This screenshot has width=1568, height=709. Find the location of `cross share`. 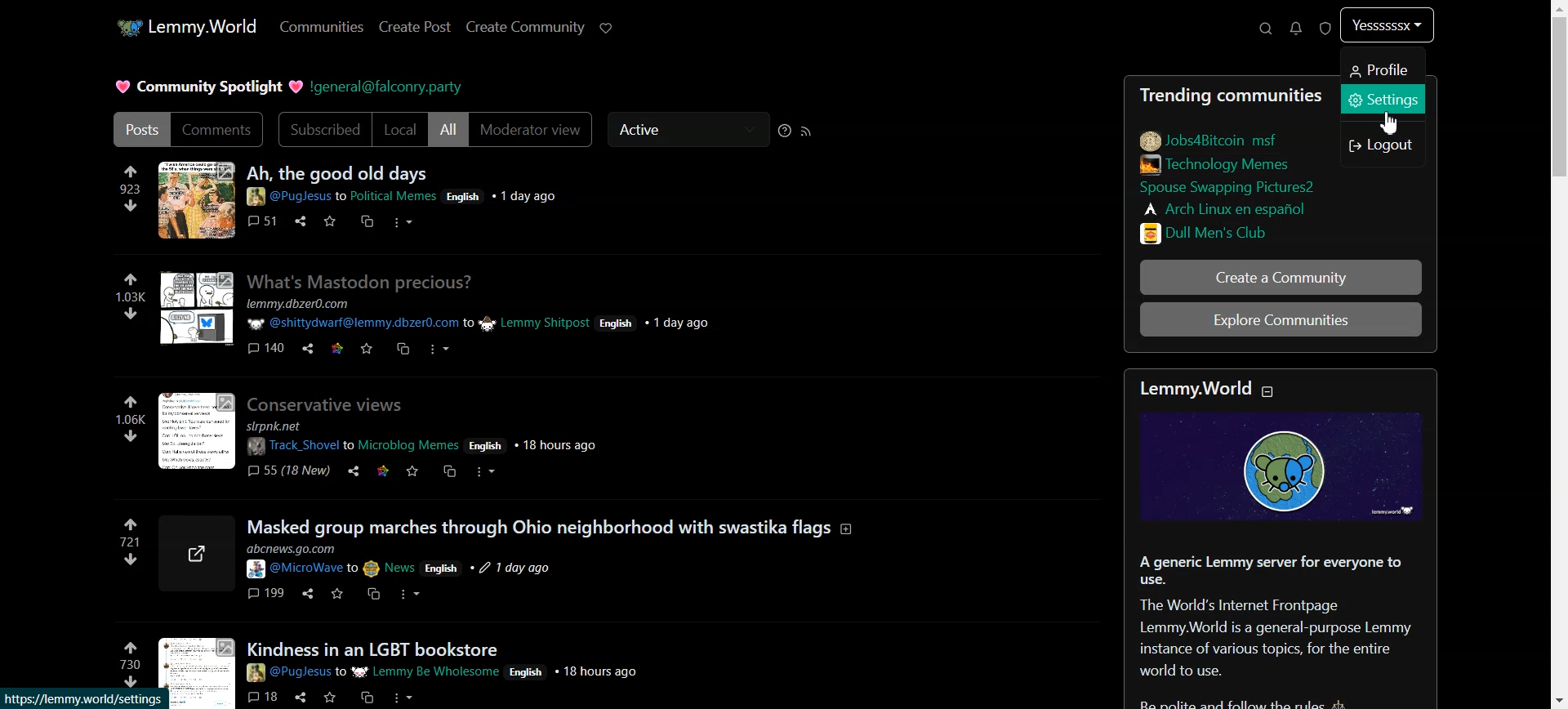

cross share is located at coordinates (367, 221).